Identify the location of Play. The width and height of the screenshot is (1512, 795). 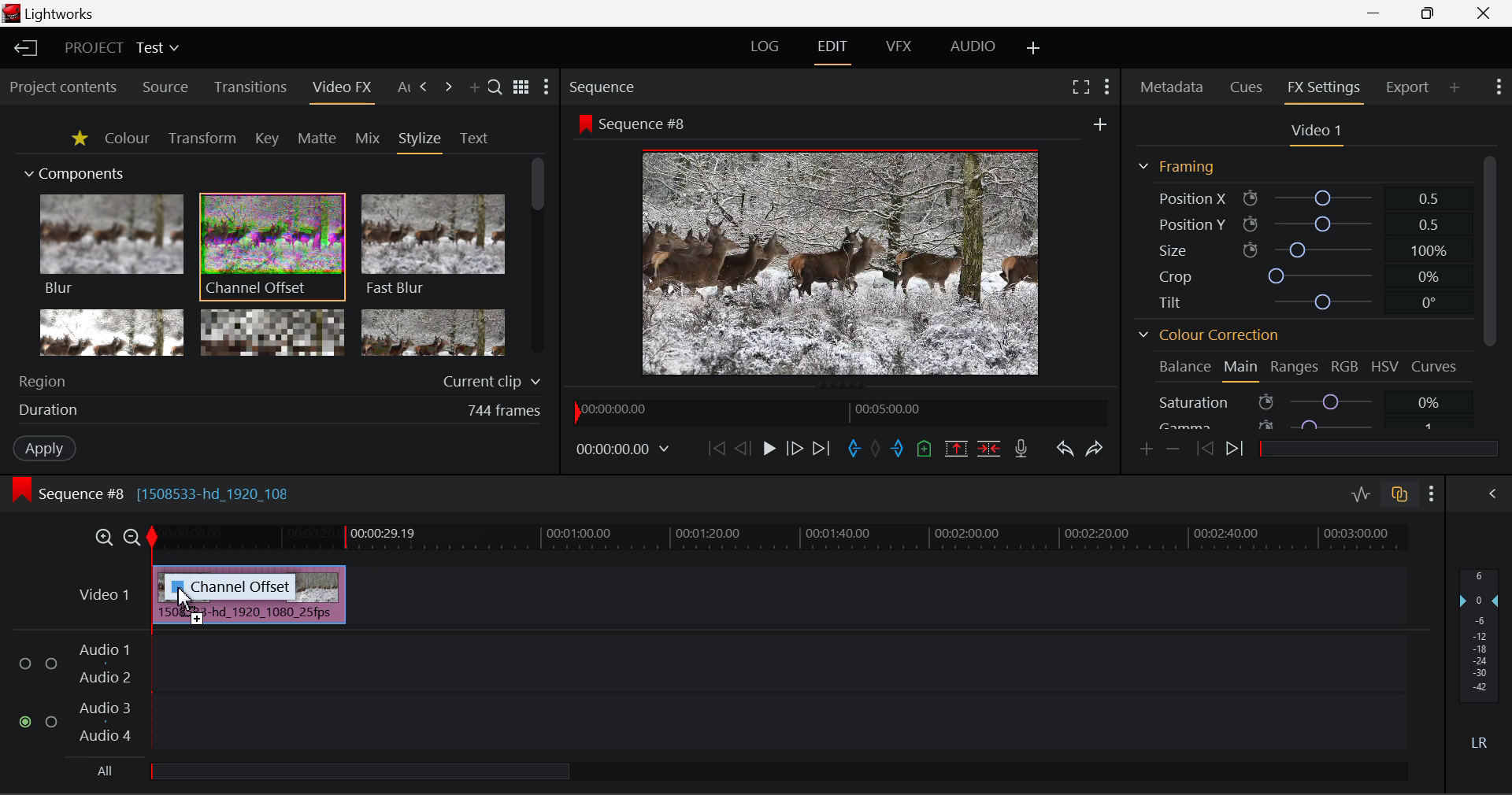
(767, 449).